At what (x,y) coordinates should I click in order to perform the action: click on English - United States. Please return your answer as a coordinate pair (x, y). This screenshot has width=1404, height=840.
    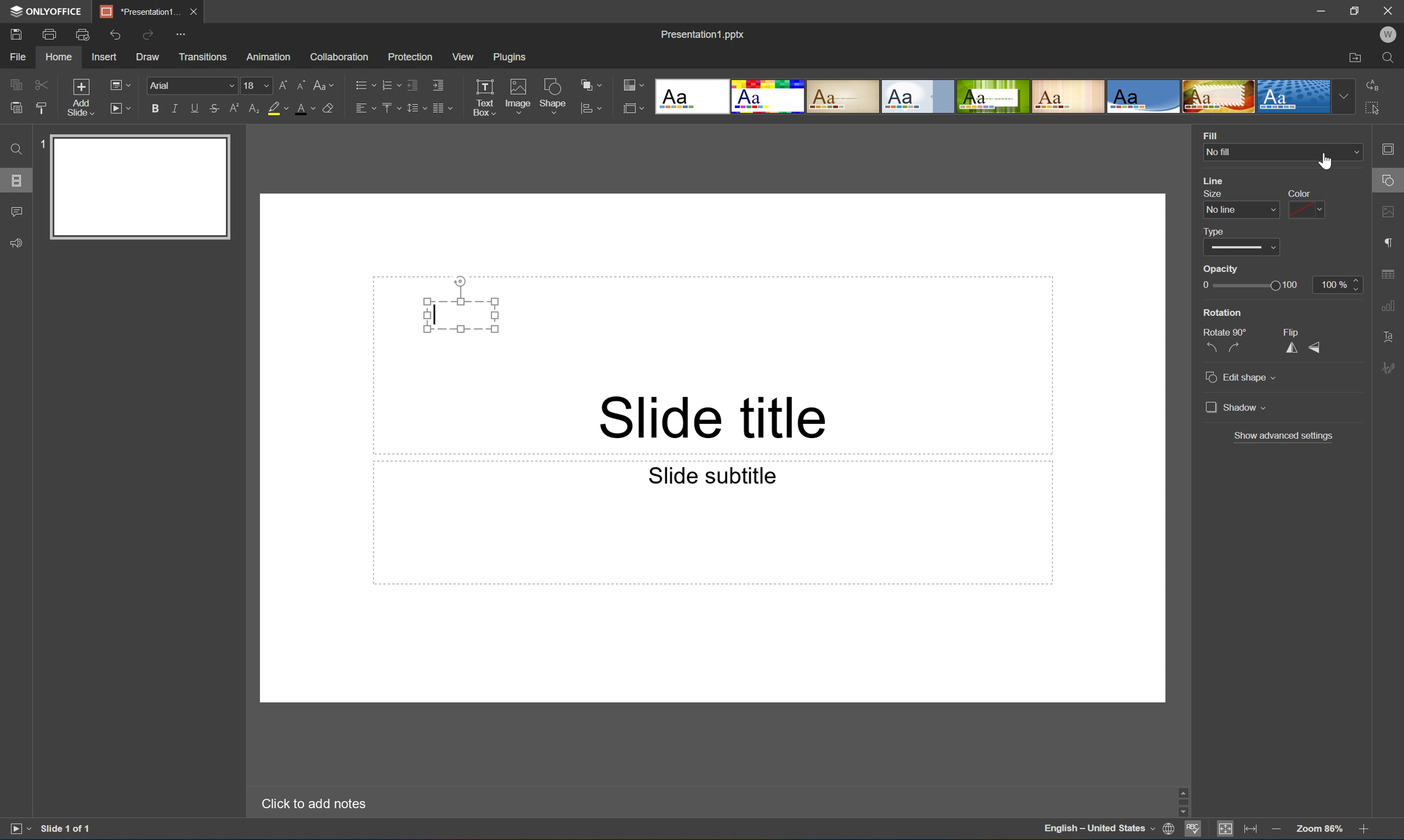
    Looking at the image, I should click on (1099, 830).